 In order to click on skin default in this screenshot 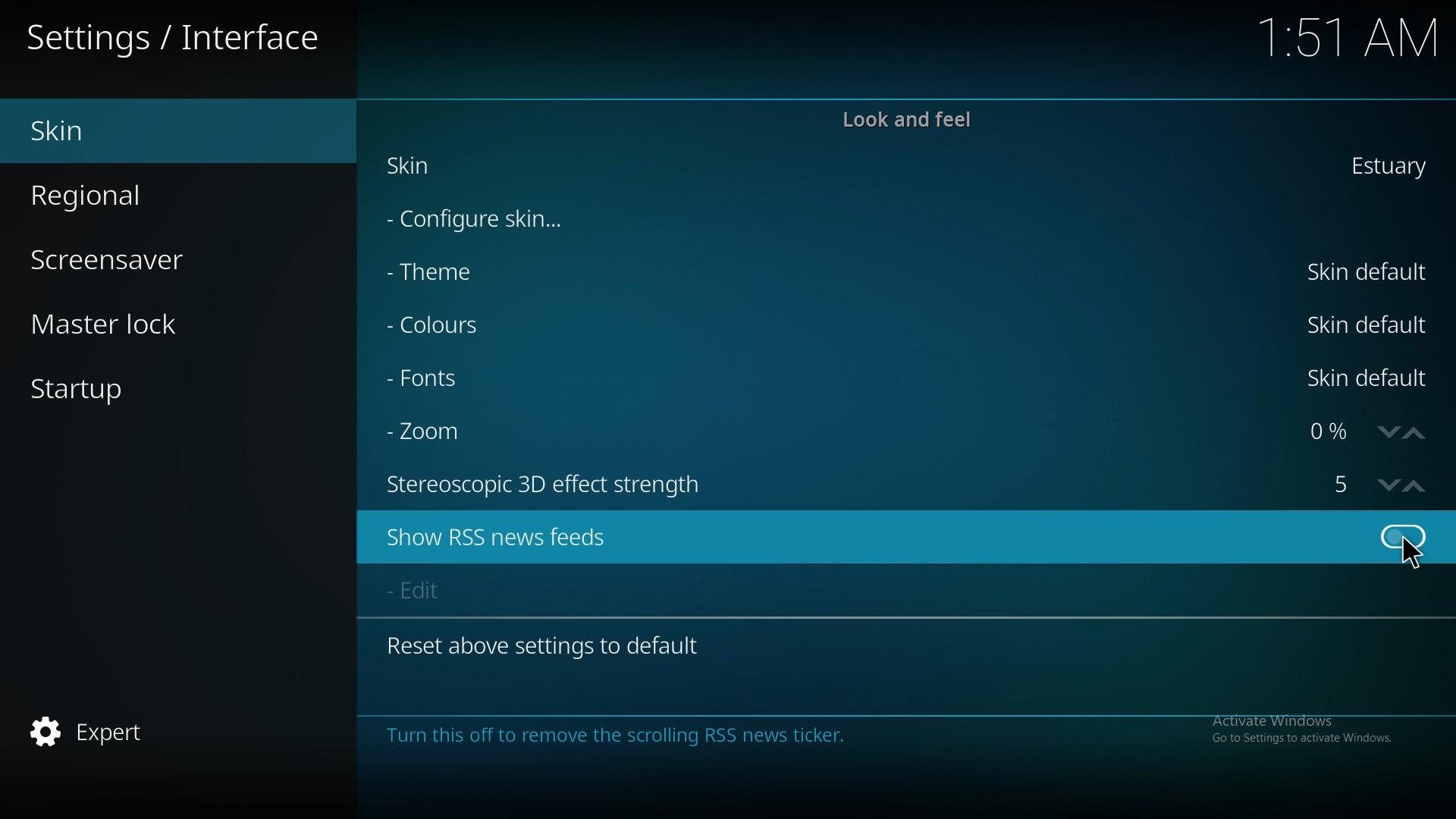, I will do `click(1368, 323)`.